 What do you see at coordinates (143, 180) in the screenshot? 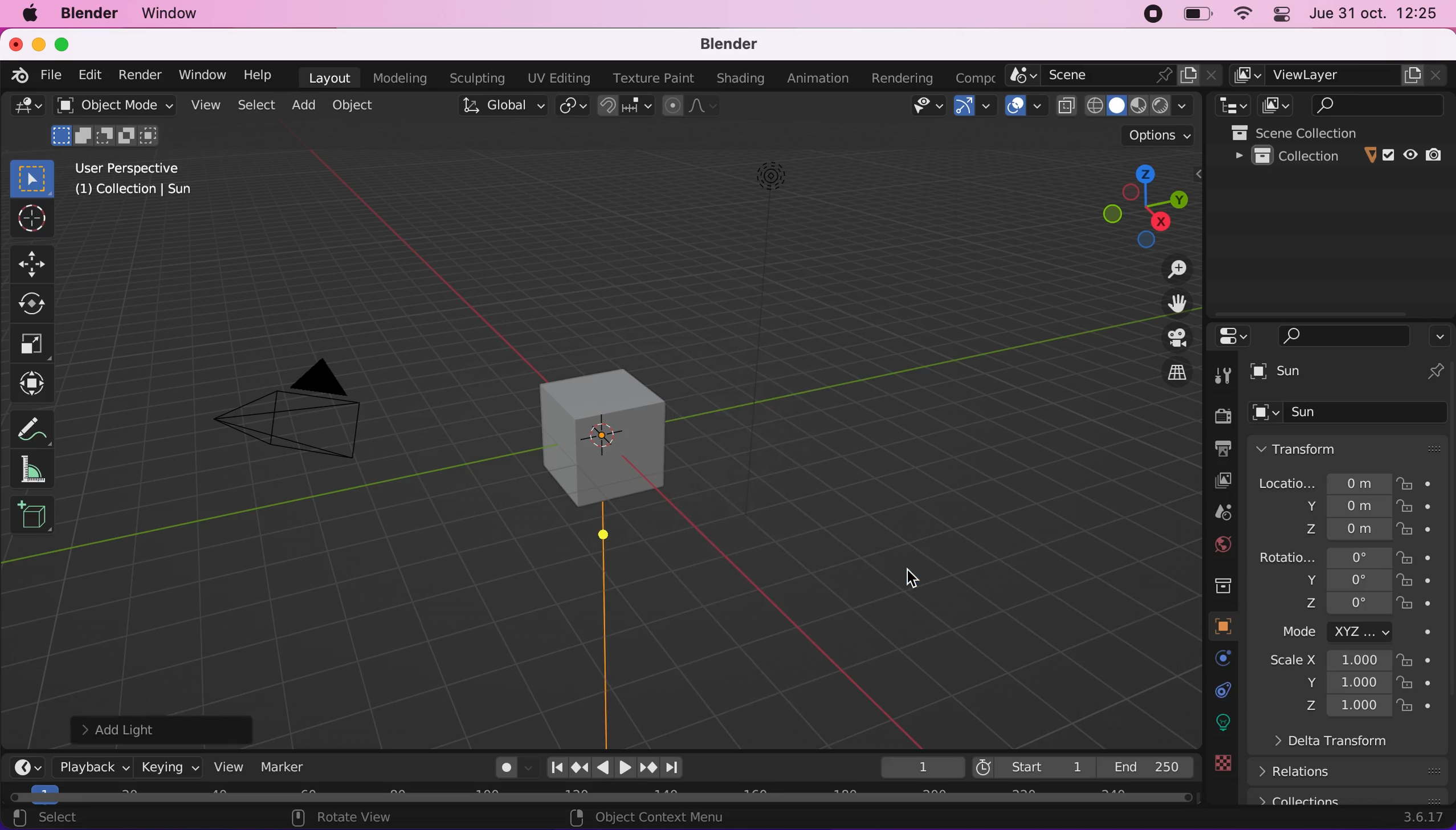
I see `user perspective (1) collection | cube` at bounding box center [143, 180].